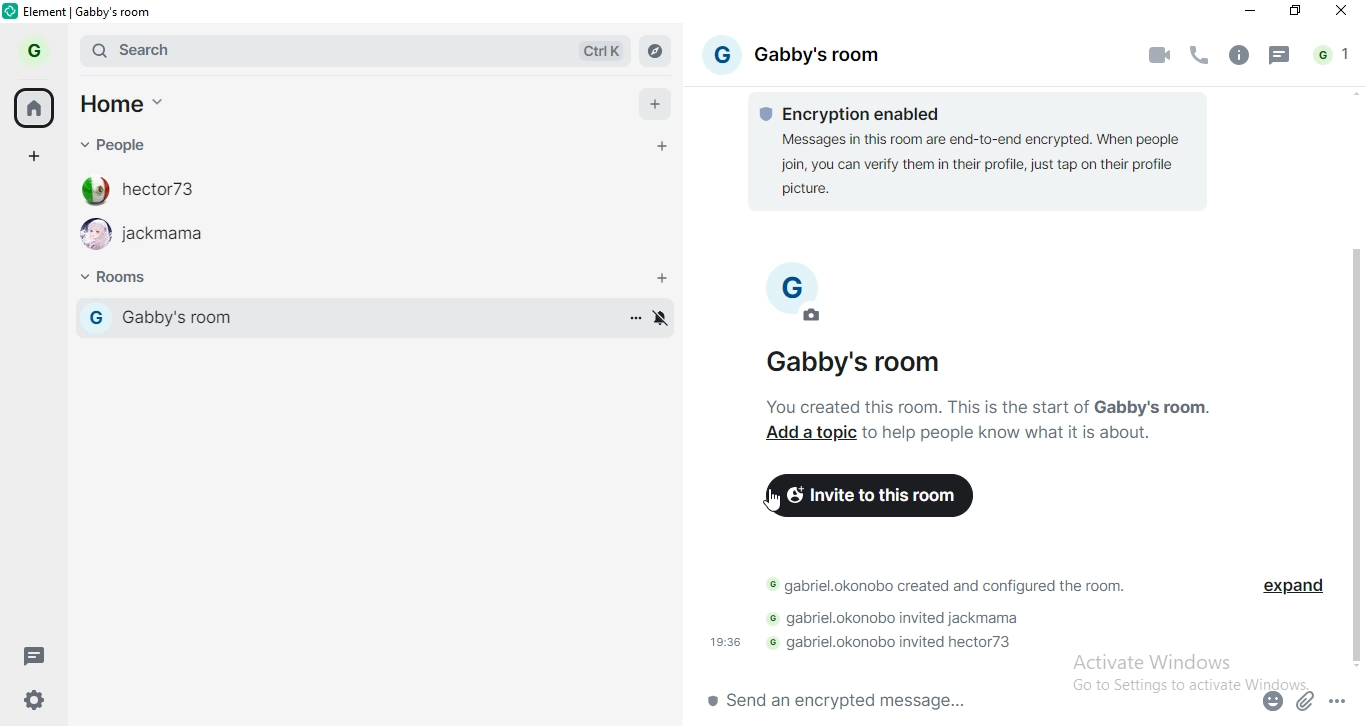  What do you see at coordinates (1304, 700) in the screenshot?
I see `attachment` at bounding box center [1304, 700].